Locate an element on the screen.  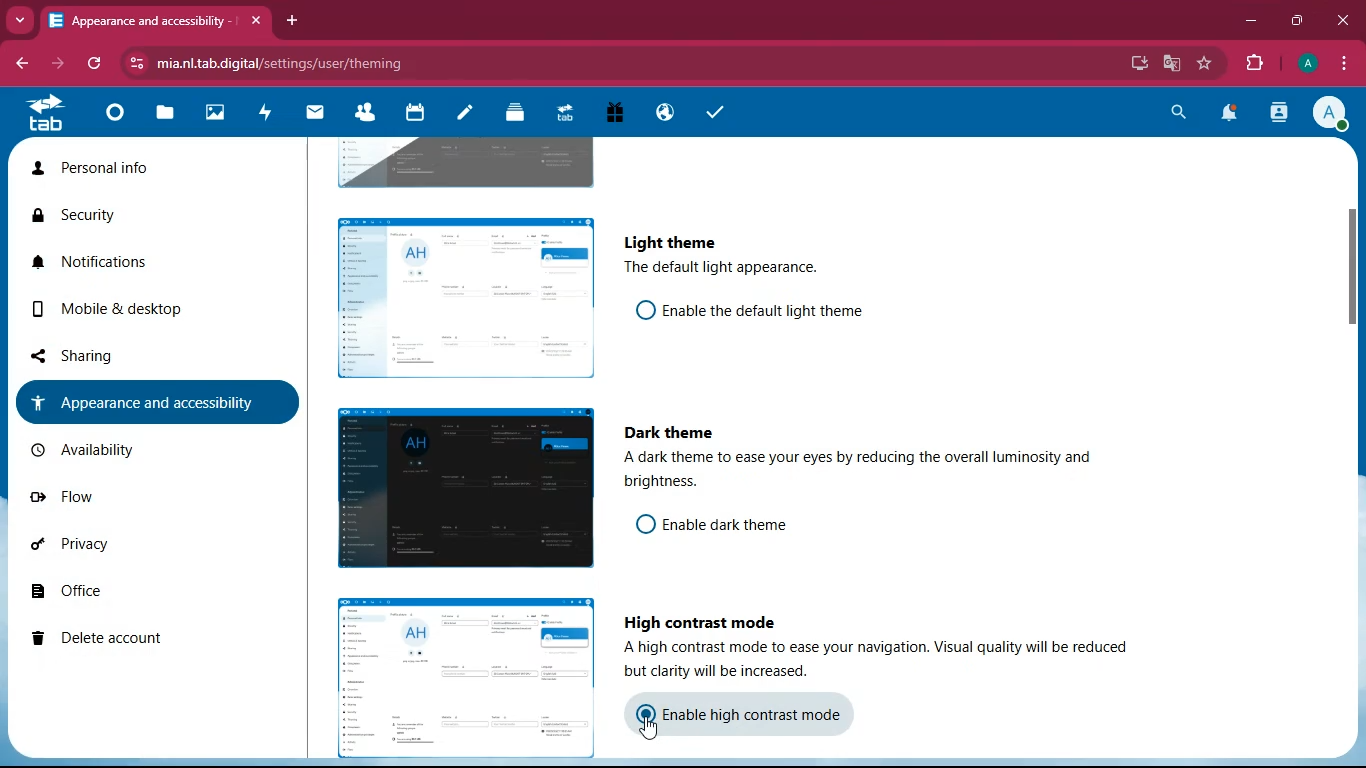
on/off button is located at coordinates (639, 713).